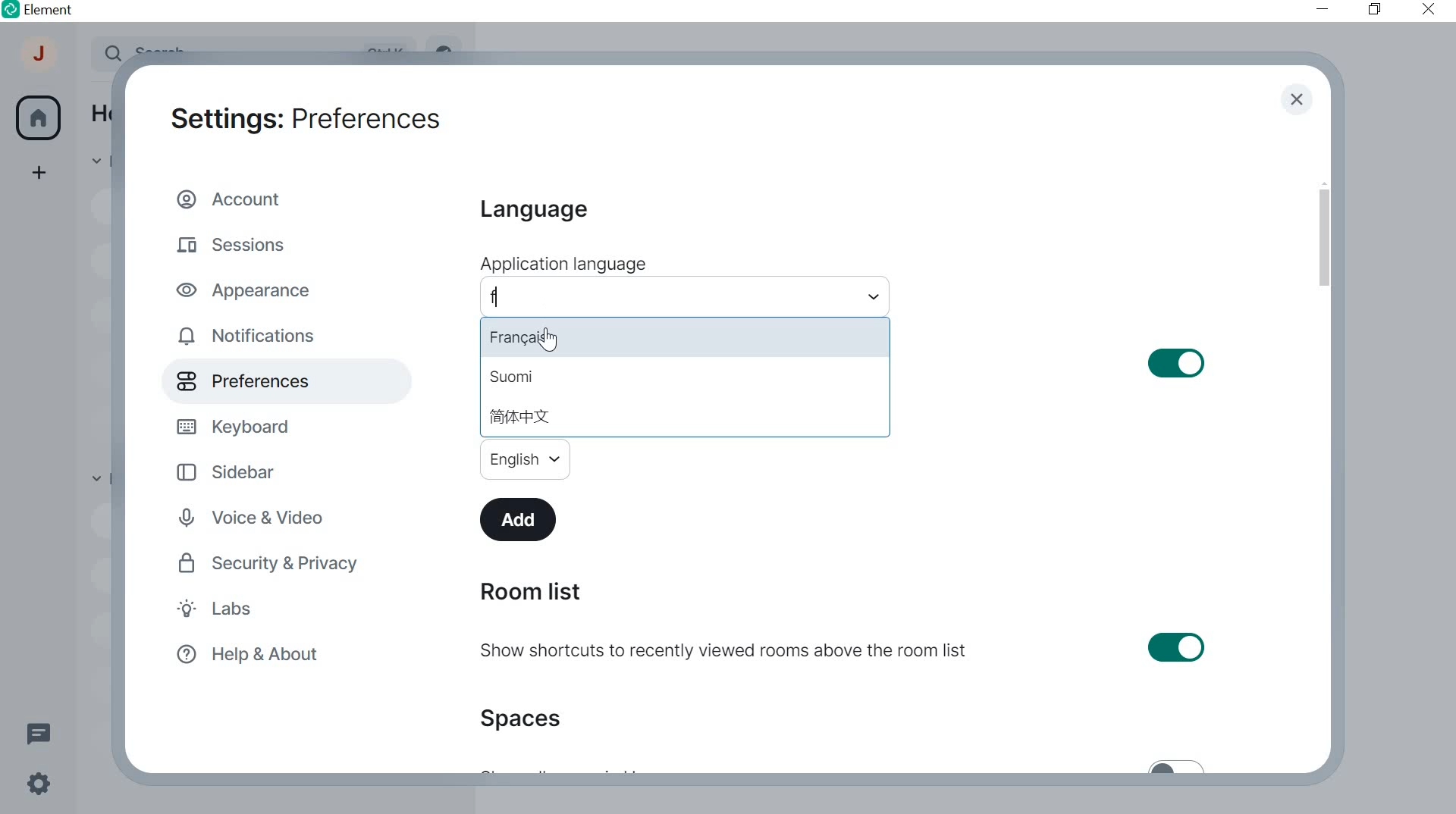 This screenshot has width=1456, height=814. What do you see at coordinates (262, 381) in the screenshot?
I see `PREFERENCES` at bounding box center [262, 381].